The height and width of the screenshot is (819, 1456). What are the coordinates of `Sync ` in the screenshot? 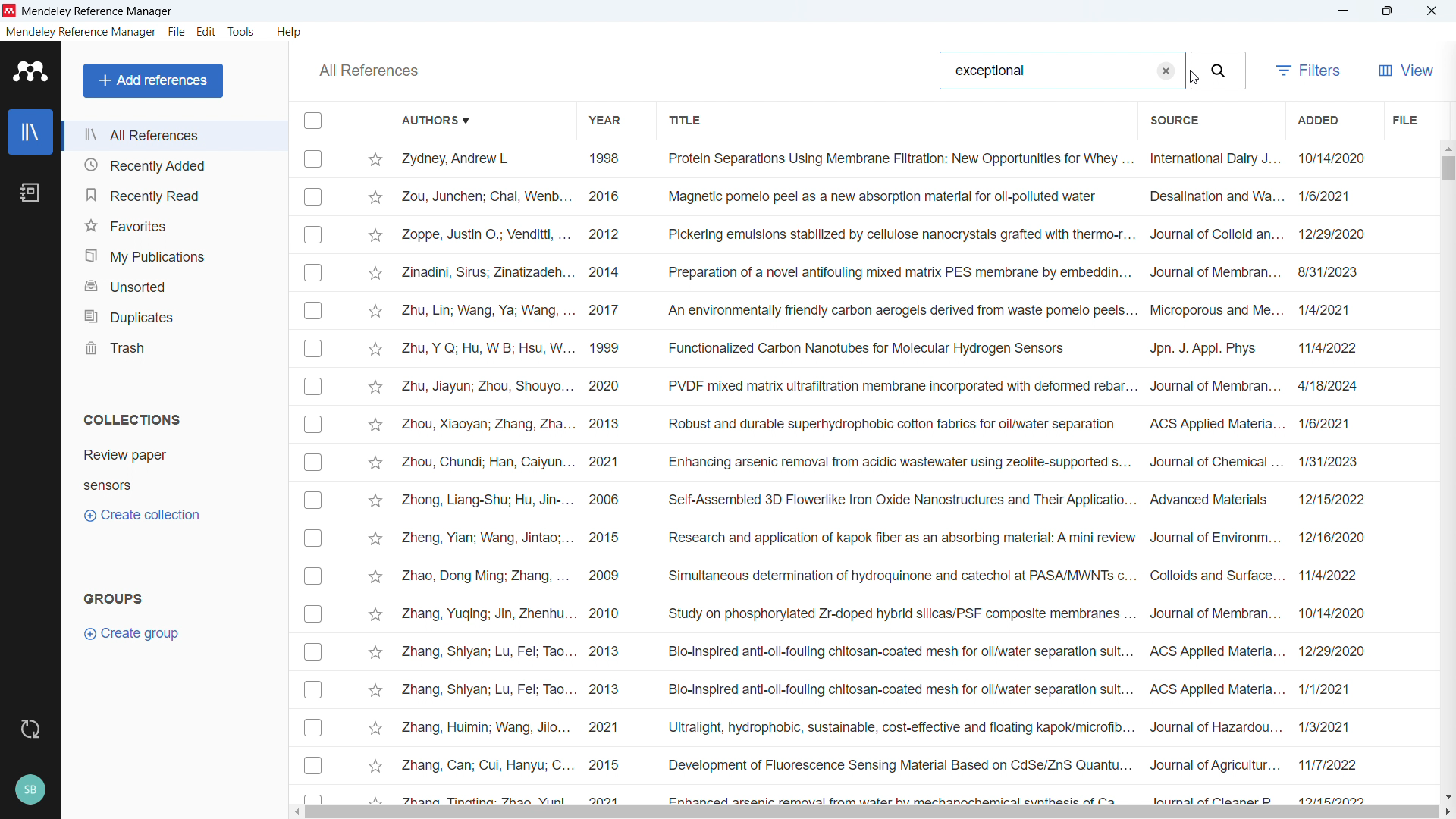 It's located at (27, 730).